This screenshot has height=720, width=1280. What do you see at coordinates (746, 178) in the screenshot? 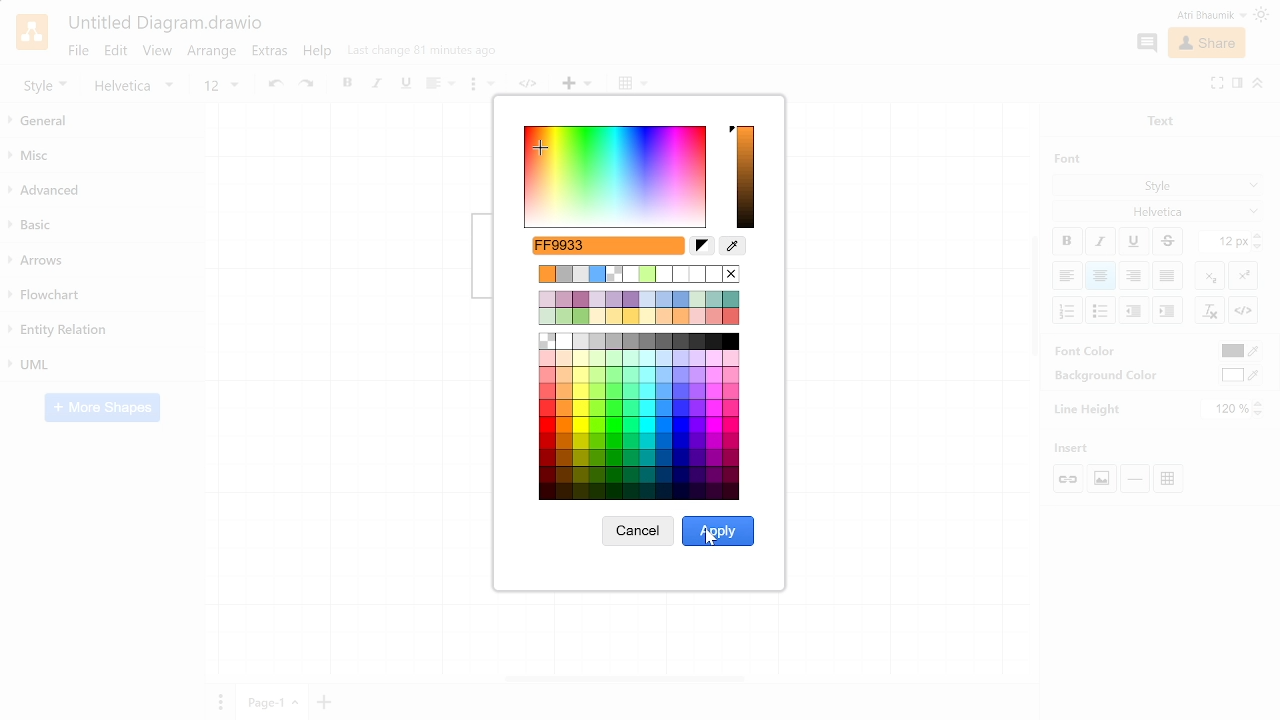
I see `Shade` at bounding box center [746, 178].